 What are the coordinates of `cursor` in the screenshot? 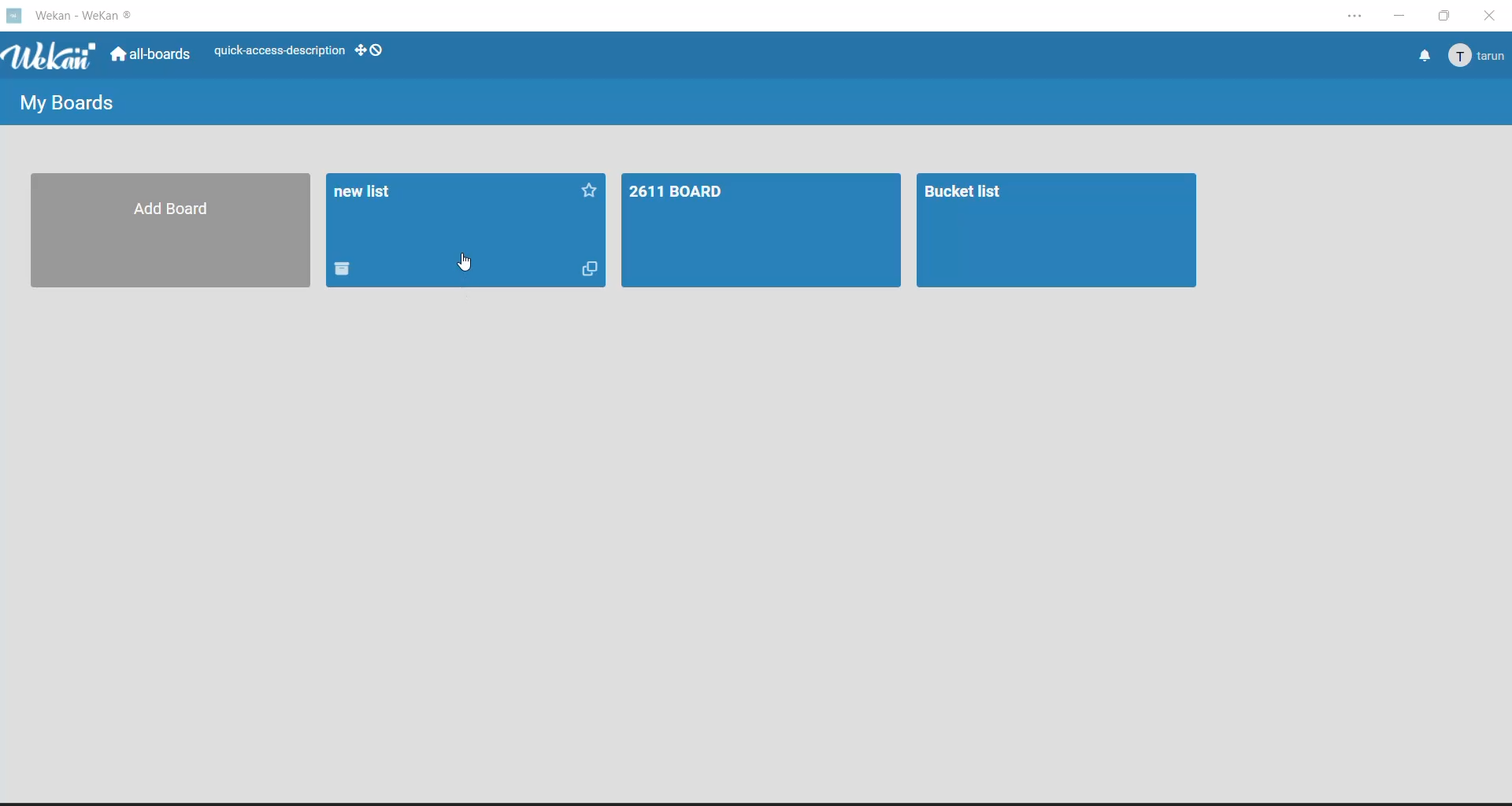 It's located at (470, 263).